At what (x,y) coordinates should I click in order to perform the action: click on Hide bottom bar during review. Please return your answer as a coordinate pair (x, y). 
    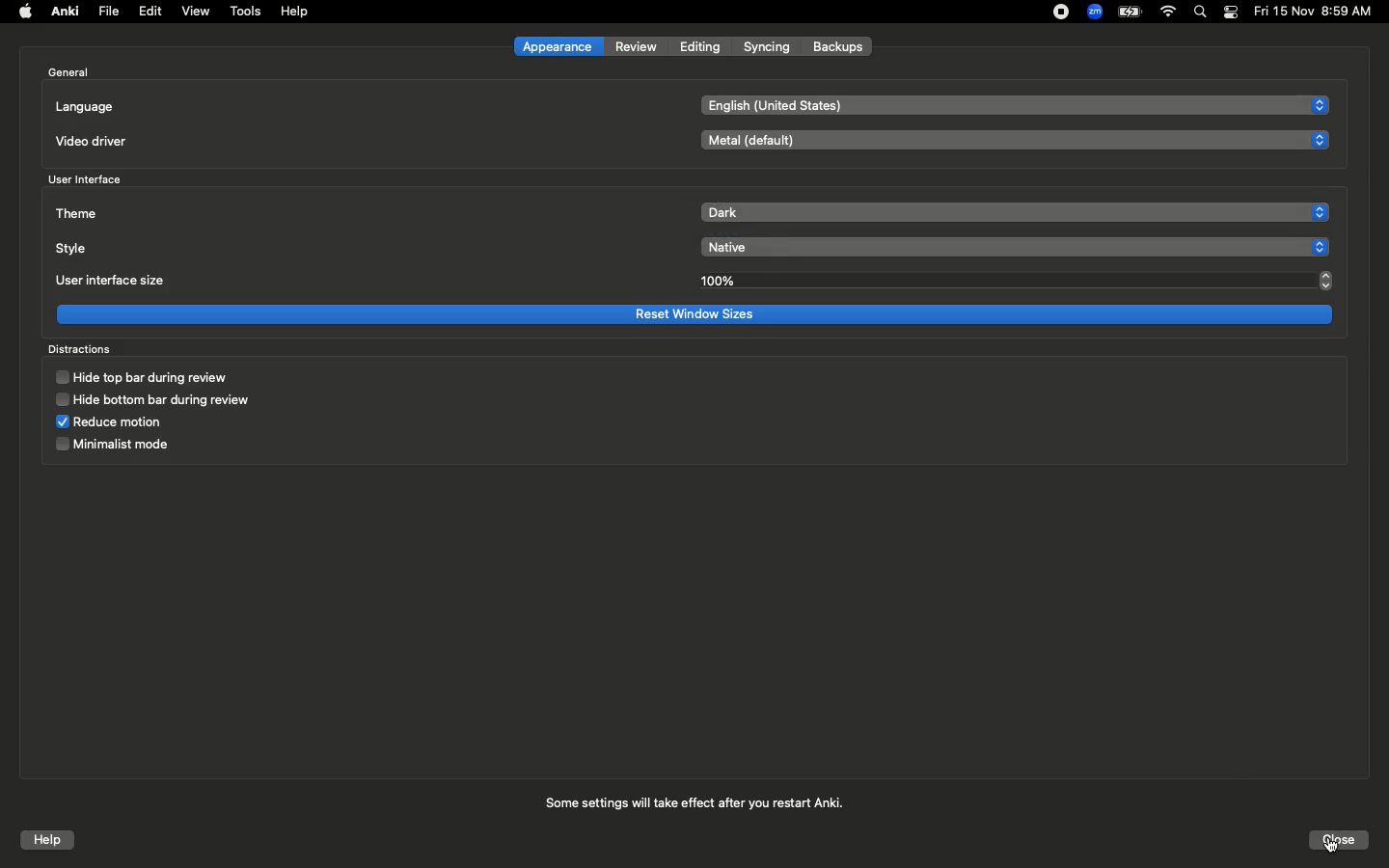
    Looking at the image, I should click on (155, 400).